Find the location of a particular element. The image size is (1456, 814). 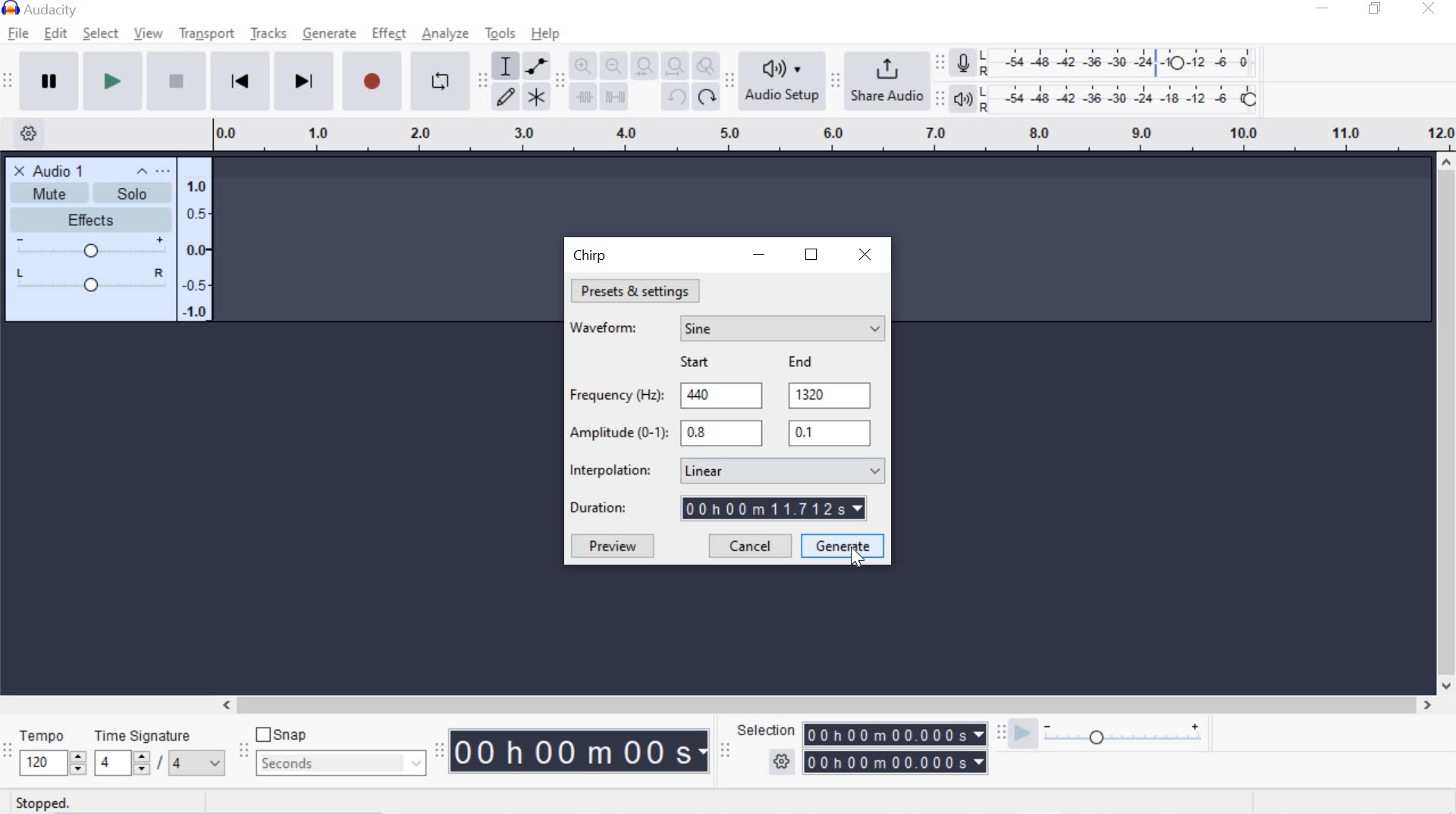

Snapping Toolbar is located at coordinates (245, 752).